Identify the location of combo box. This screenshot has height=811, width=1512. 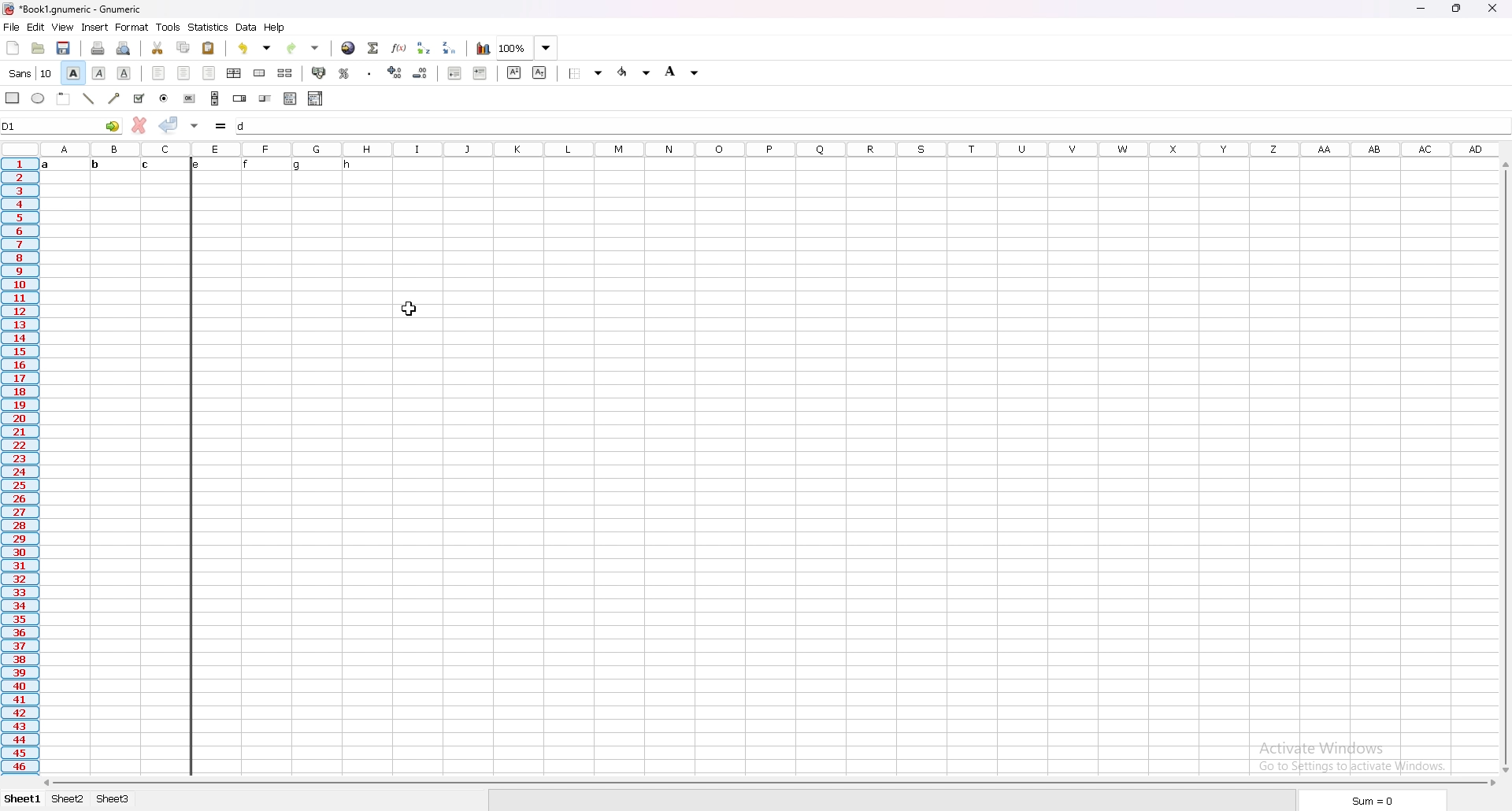
(317, 98).